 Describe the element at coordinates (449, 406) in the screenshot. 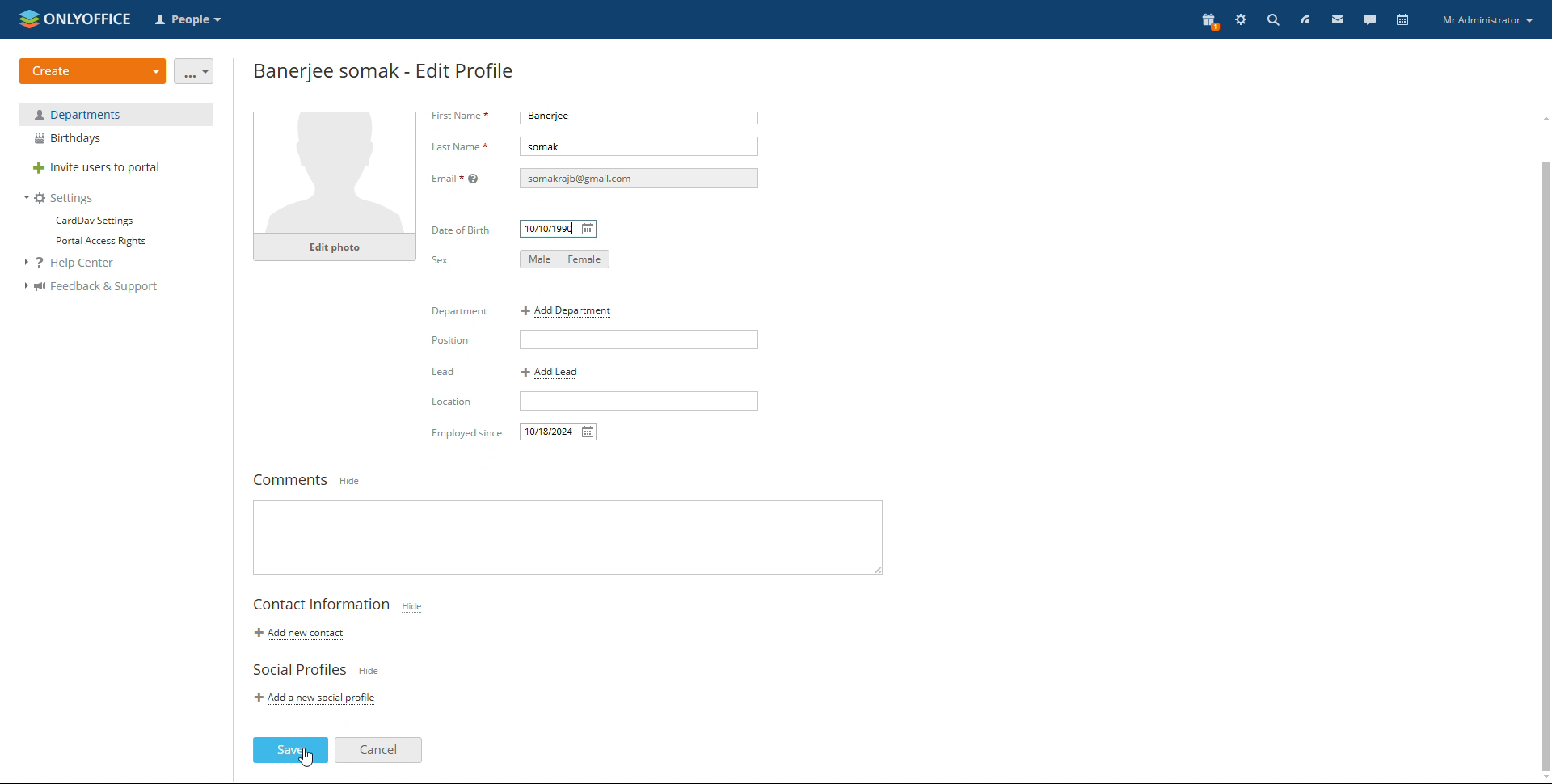

I see `Lead` at that location.